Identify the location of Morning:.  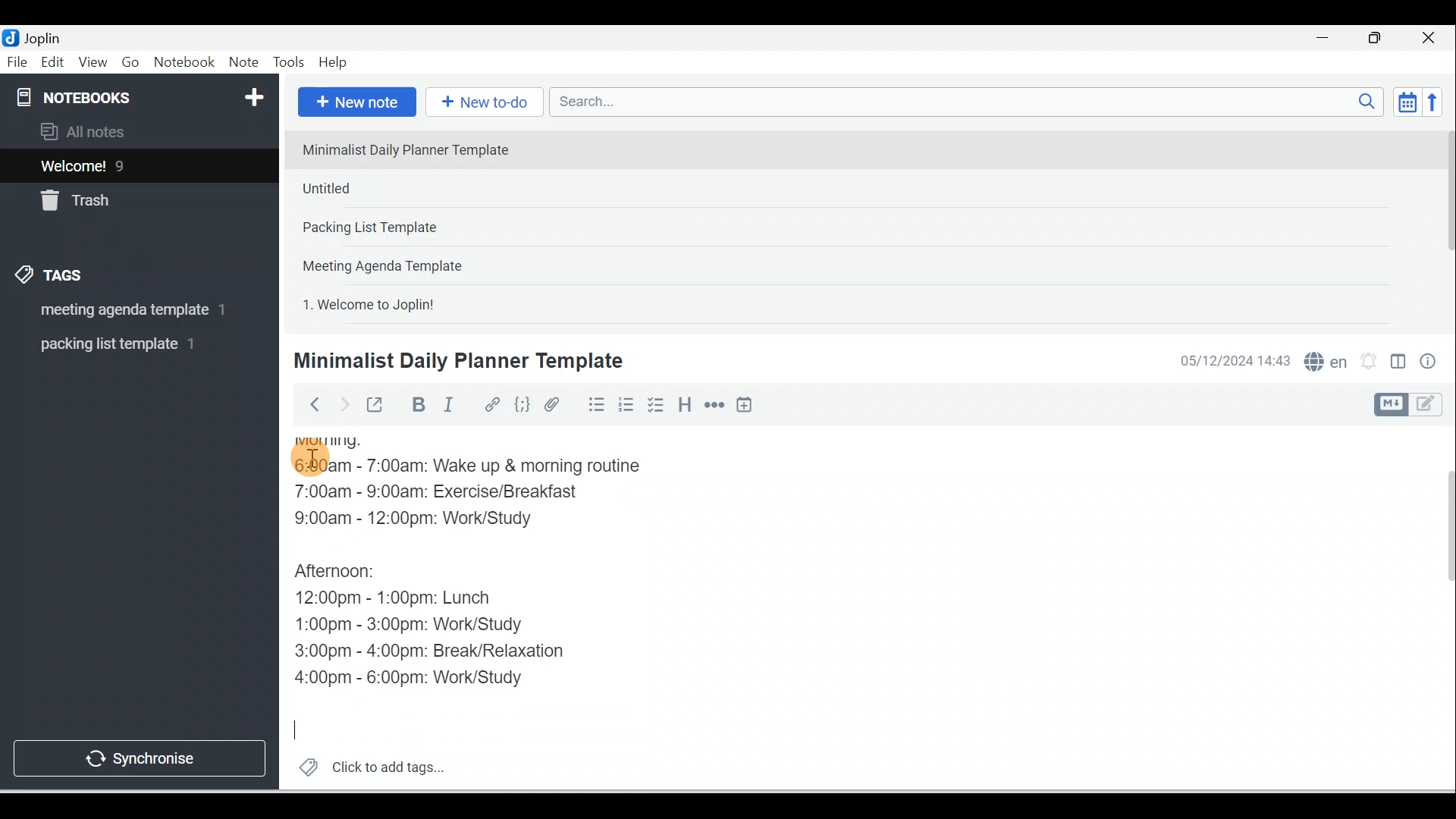
(345, 441).